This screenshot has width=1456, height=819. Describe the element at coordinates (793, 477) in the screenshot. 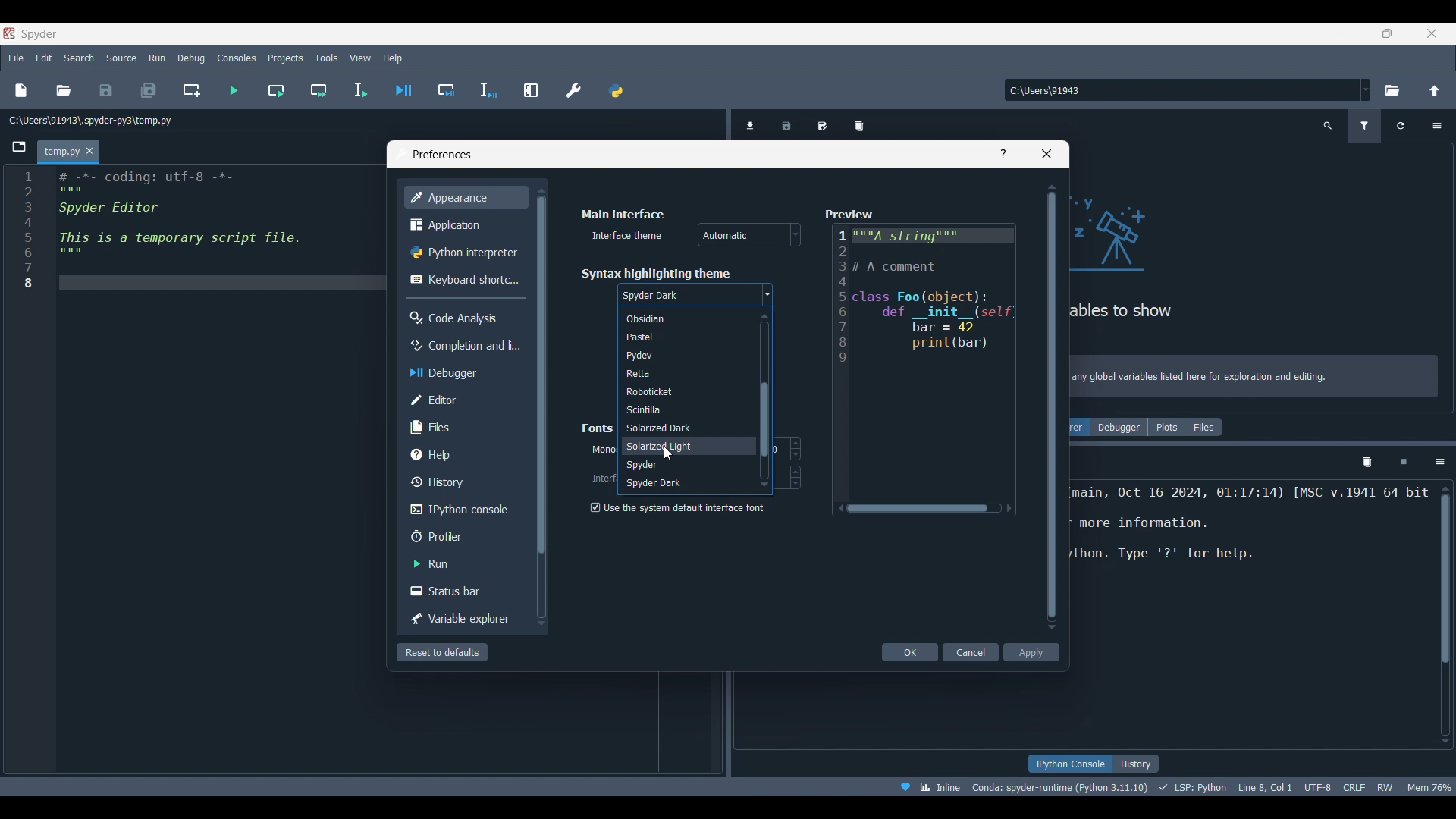

I see `font size` at that location.